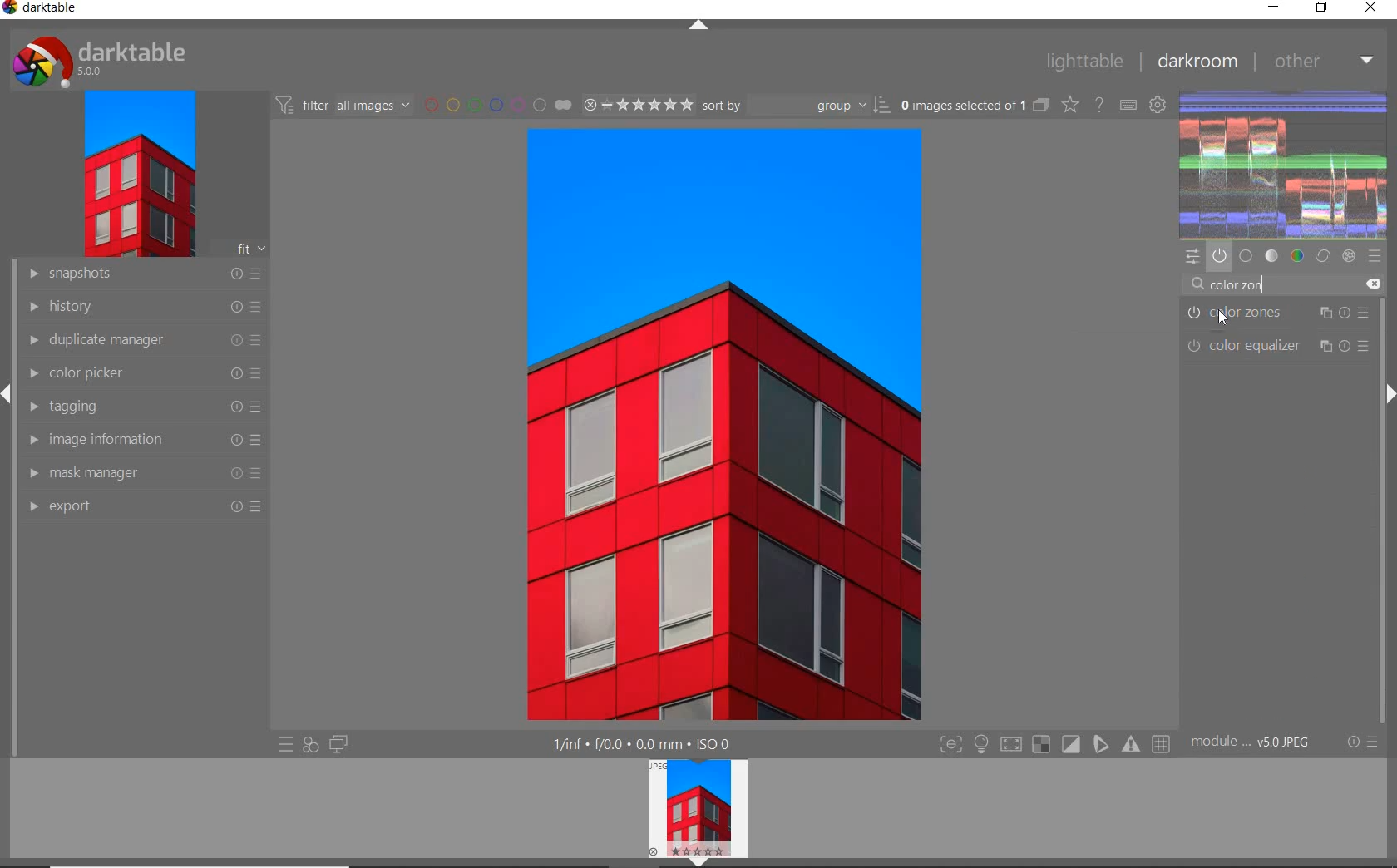 This screenshot has height=868, width=1397. What do you see at coordinates (8, 393) in the screenshot?
I see `expand/collapse` at bounding box center [8, 393].